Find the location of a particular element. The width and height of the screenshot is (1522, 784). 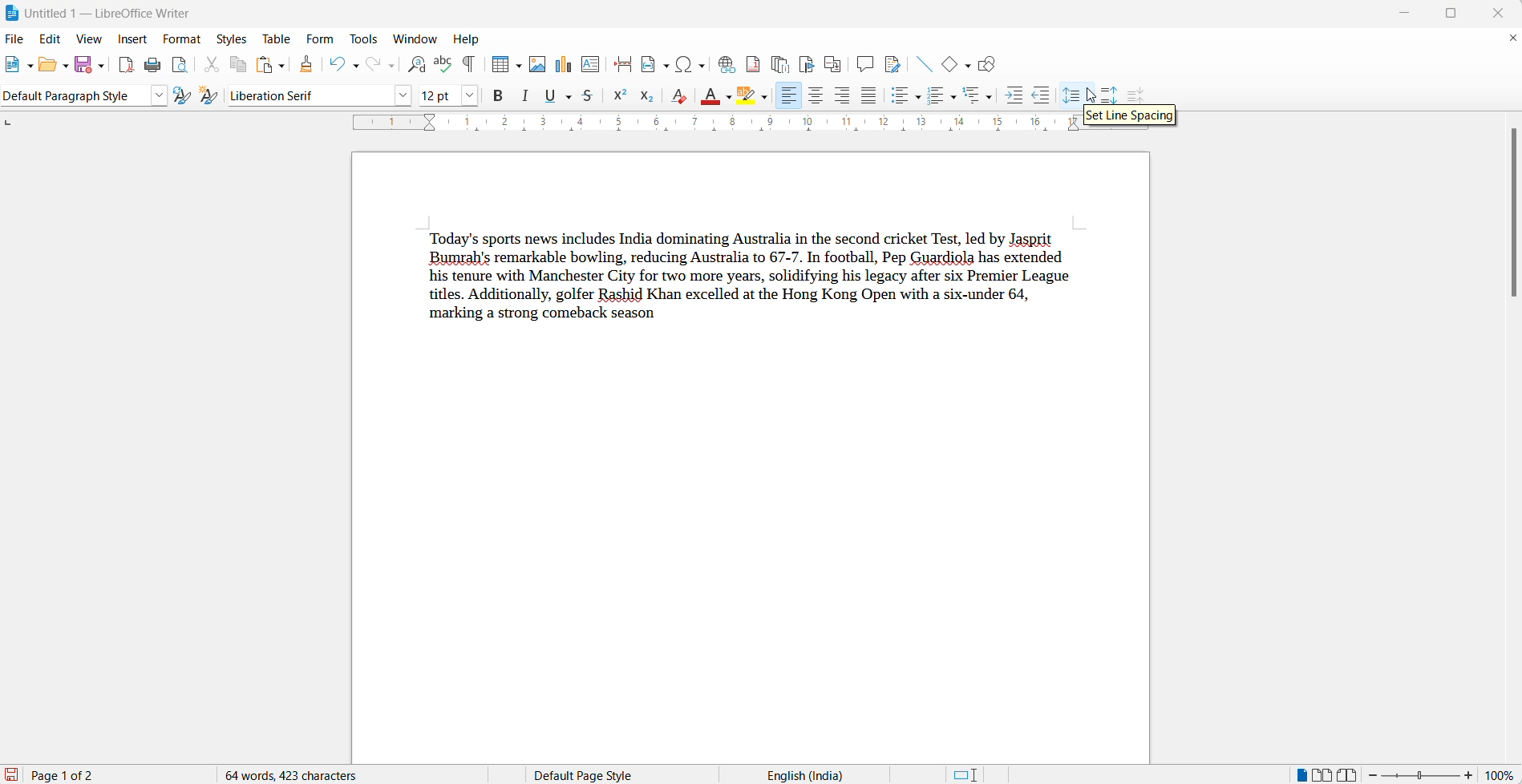

edit is located at coordinates (53, 38).